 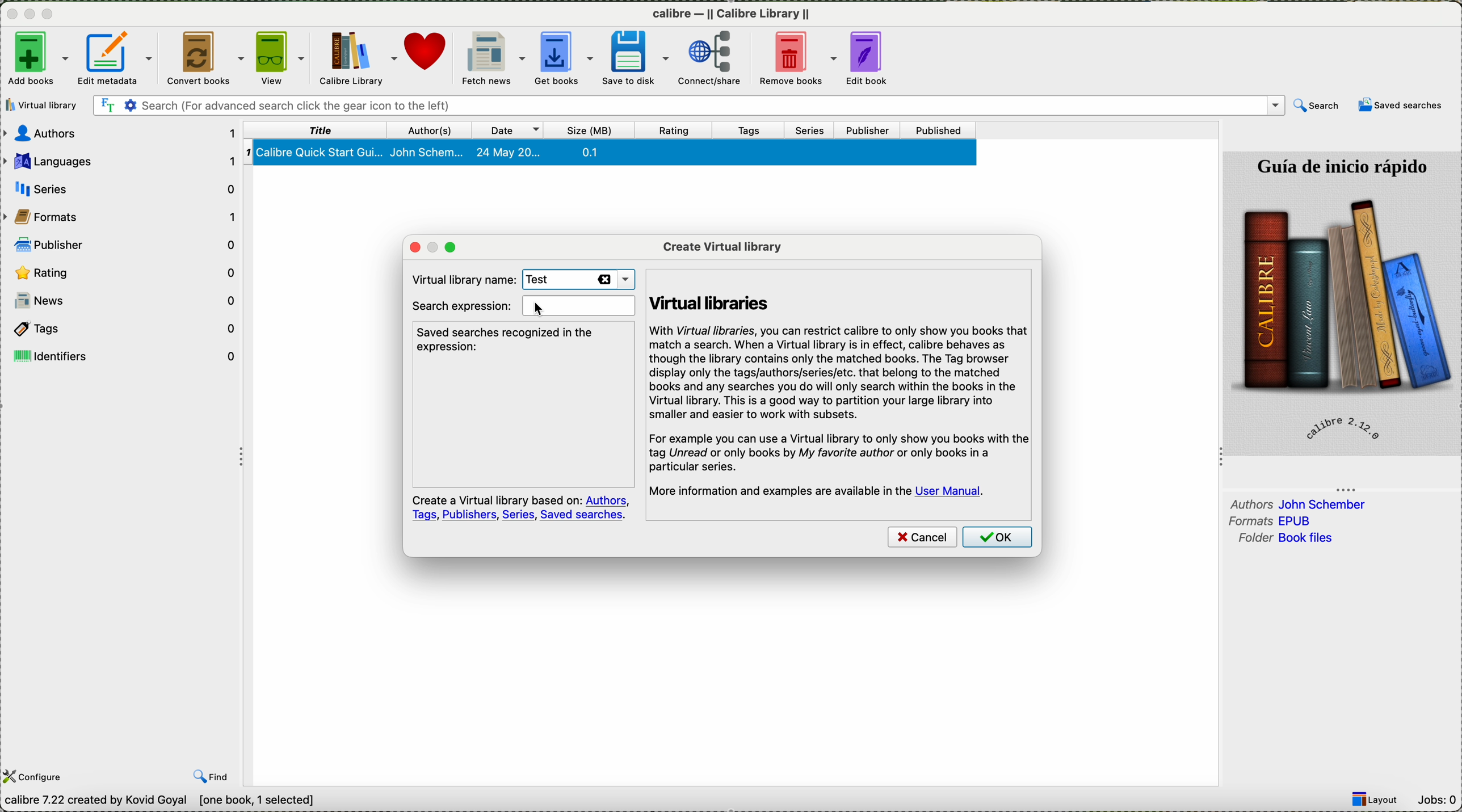 I want to click on search expression, so click(x=521, y=306).